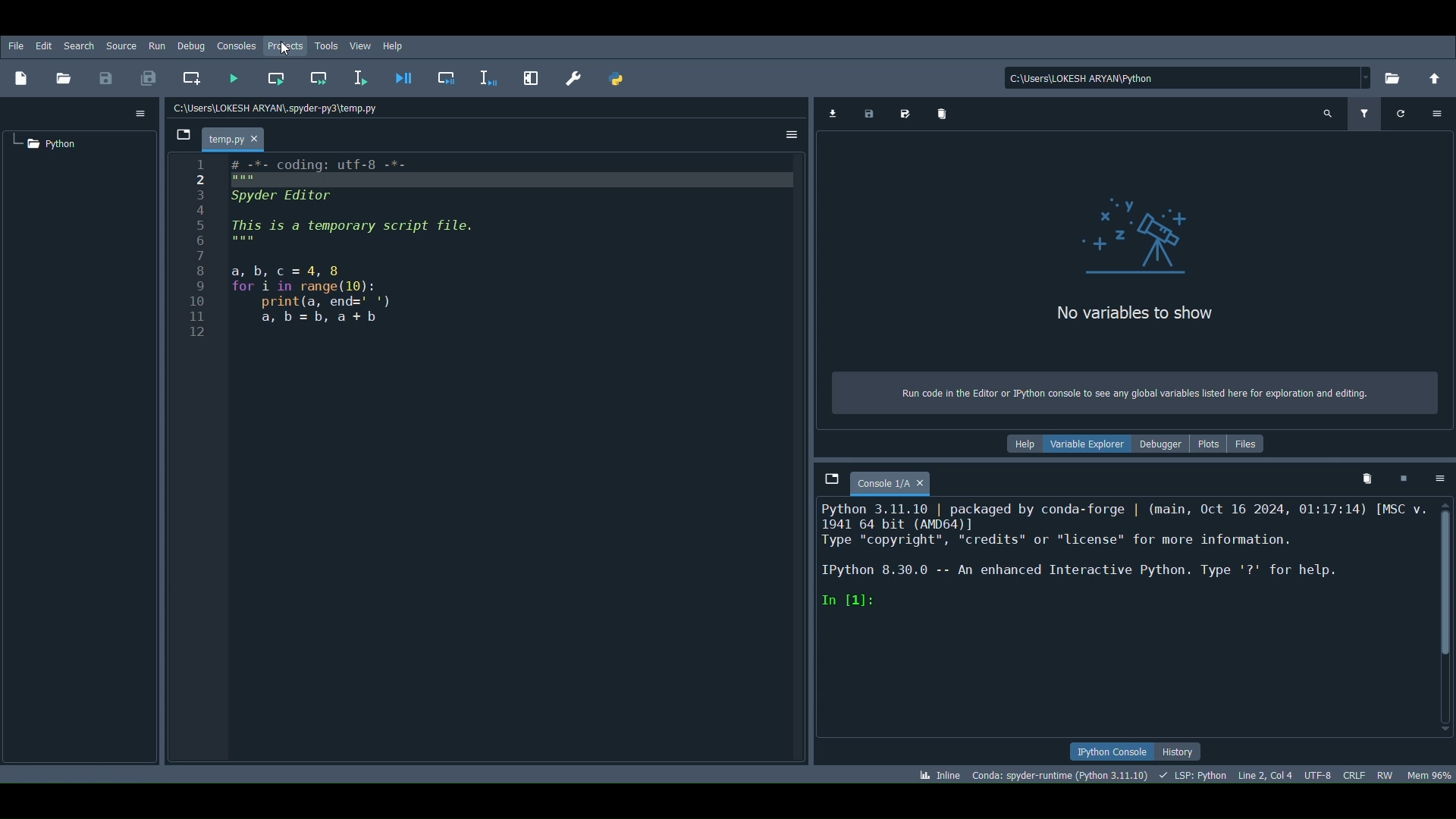  I want to click on Completions, linting, code folding and symbols status, so click(1195, 775).